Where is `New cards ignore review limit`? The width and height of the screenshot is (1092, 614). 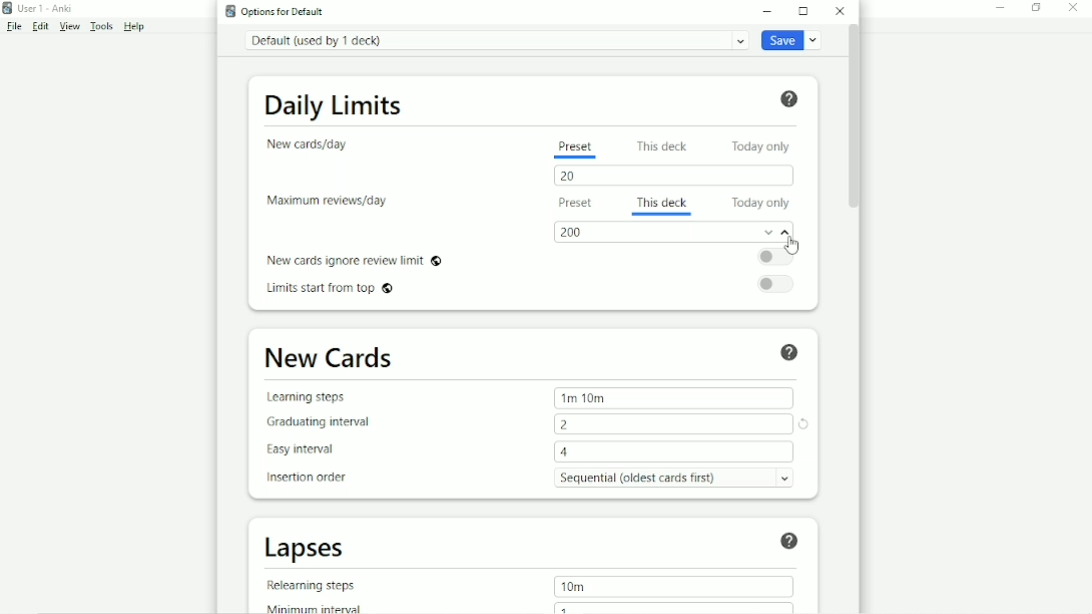 New cards ignore review limit is located at coordinates (354, 259).